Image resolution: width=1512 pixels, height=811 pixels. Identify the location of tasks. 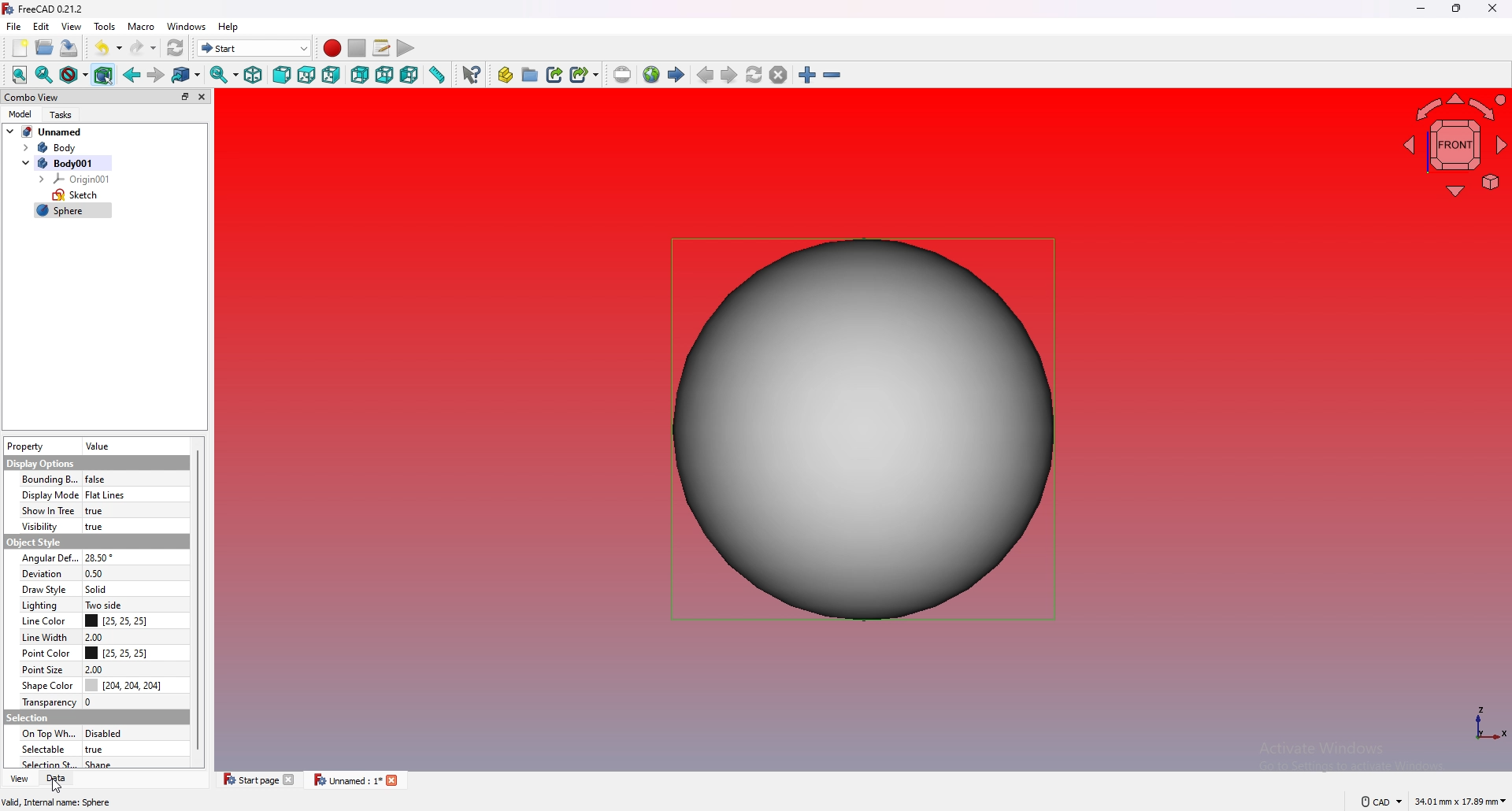
(63, 114).